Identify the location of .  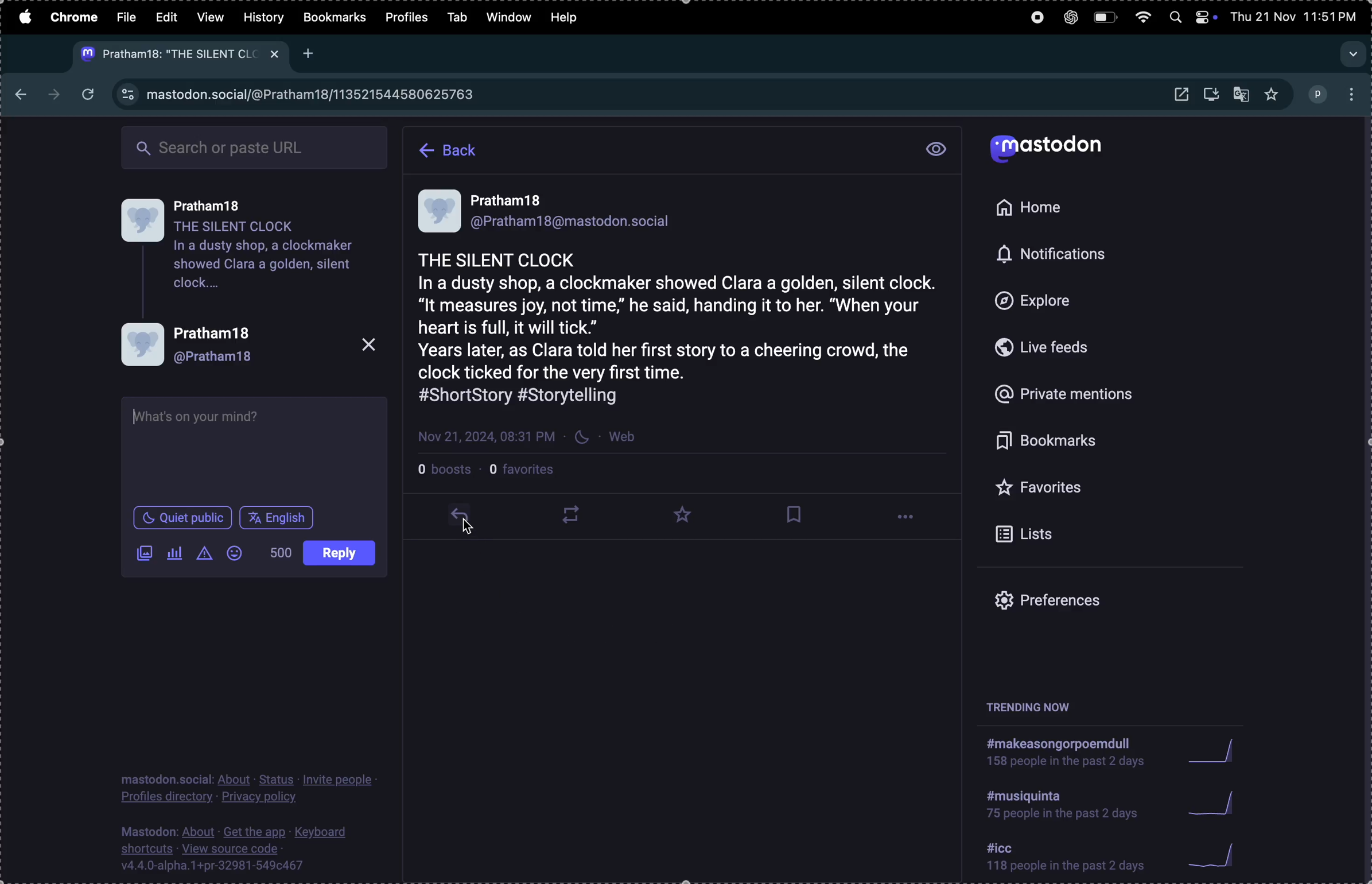
(461, 152).